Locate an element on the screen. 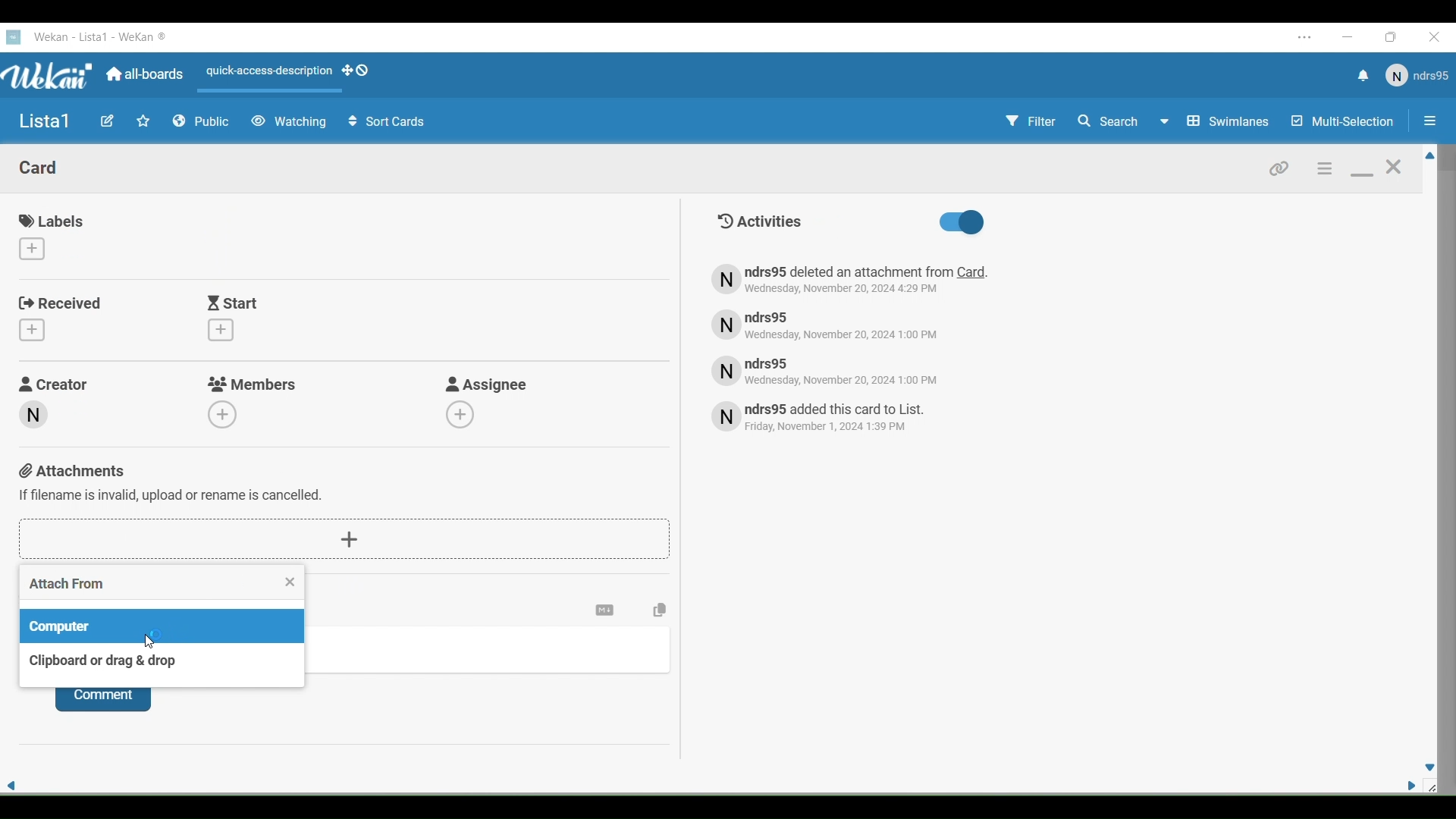  All Boards is located at coordinates (146, 74).